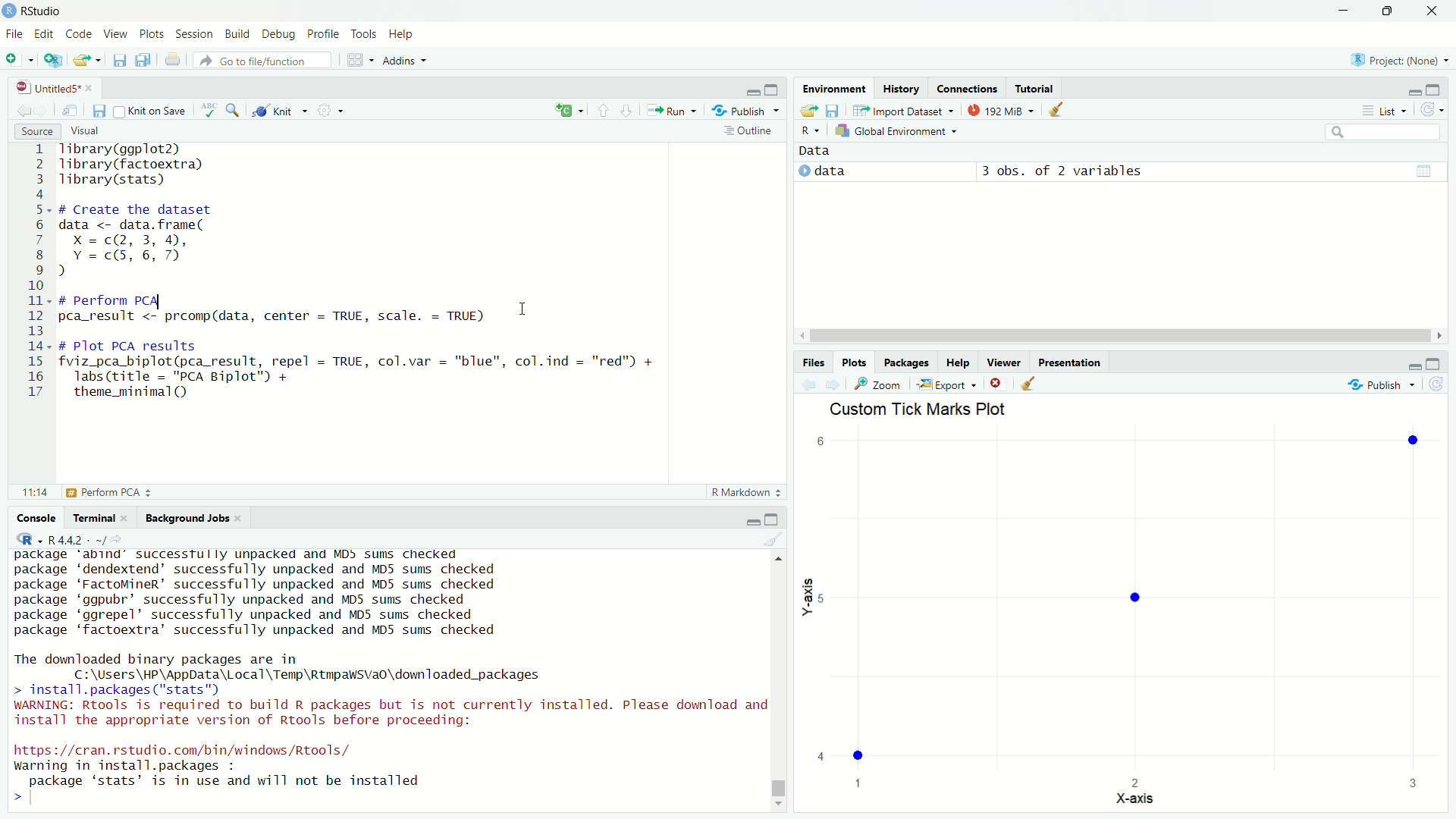 The image size is (1456, 819). What do you see at coordinates (1432, 11) in the screenshot?
I see `Close` at bounding box center [1432, 11].